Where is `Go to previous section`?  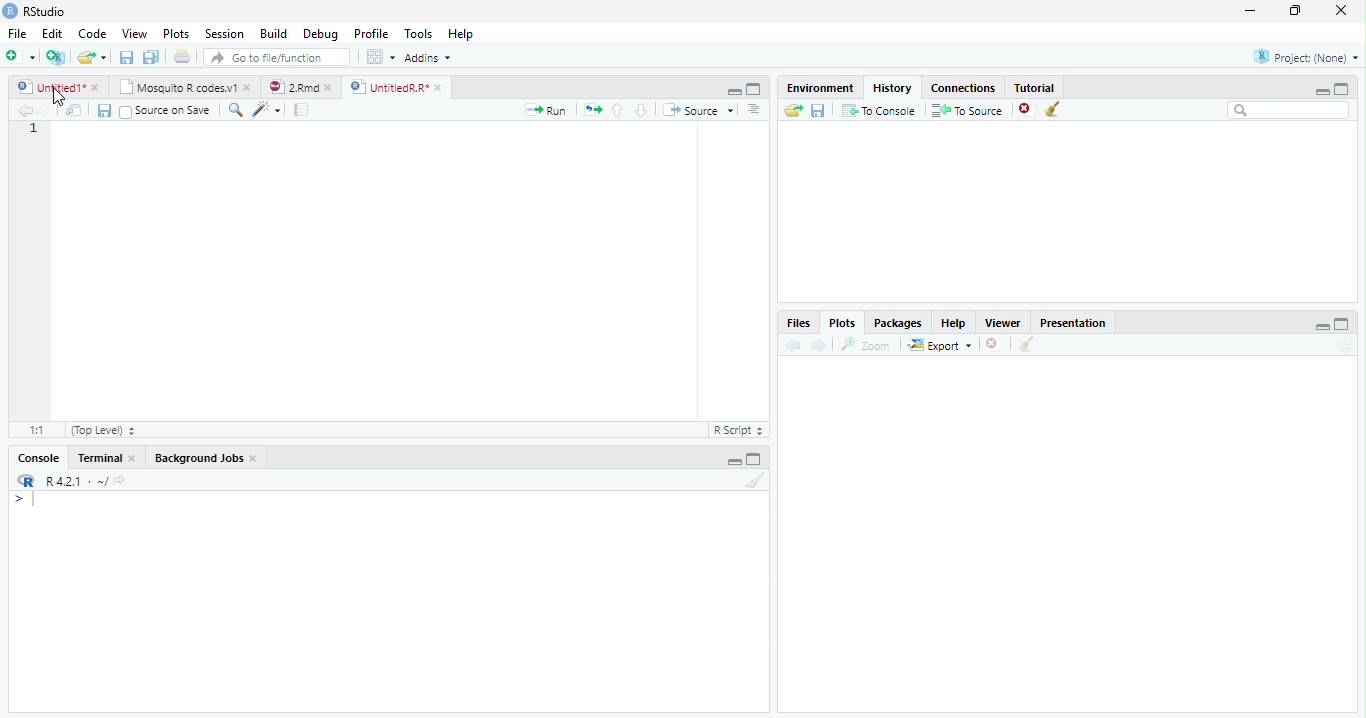
Go to previous section is located at coordinates (617, 109).